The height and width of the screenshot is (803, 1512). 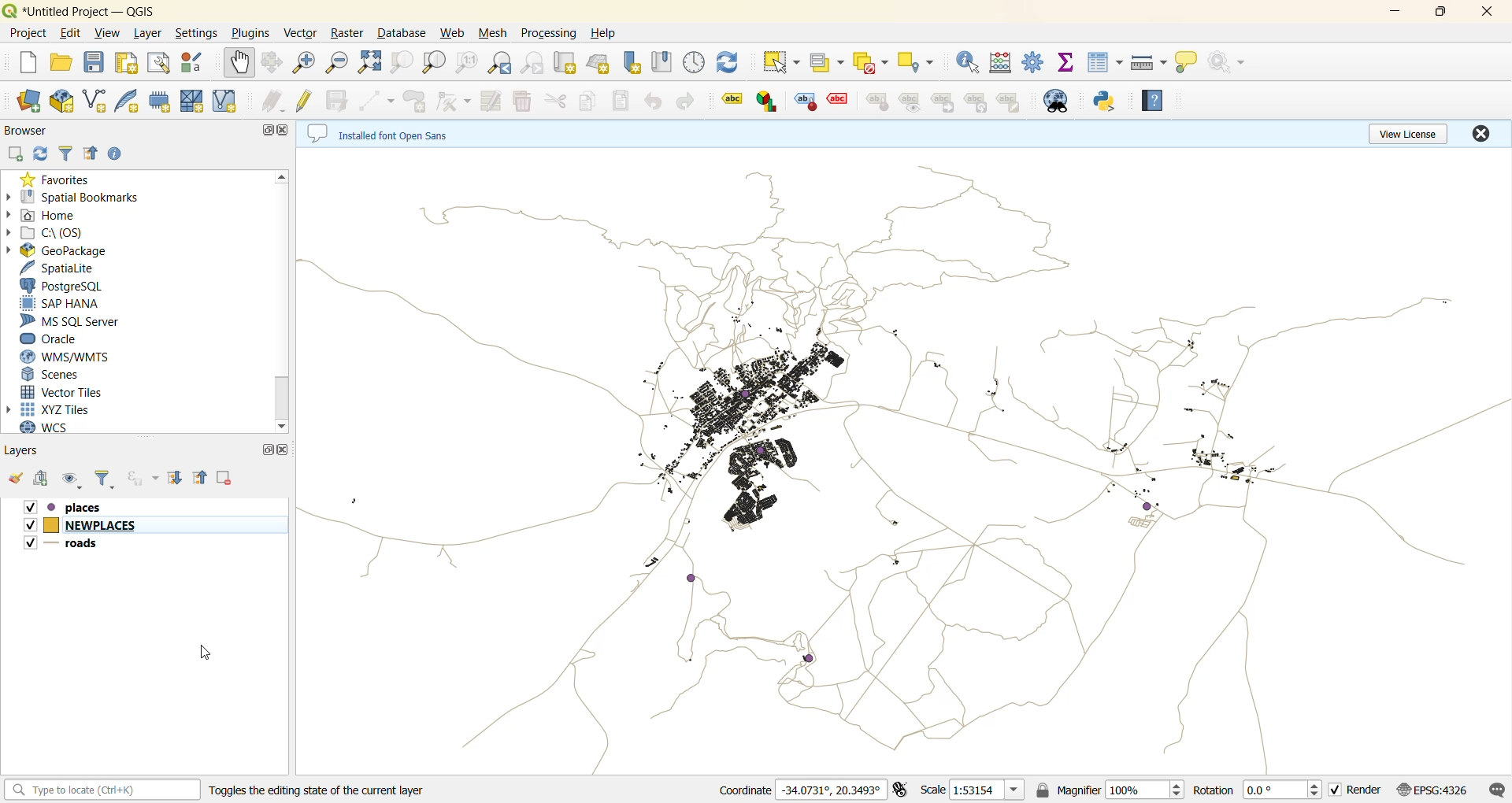 I want to click on settings, so click(x=196, y=33).